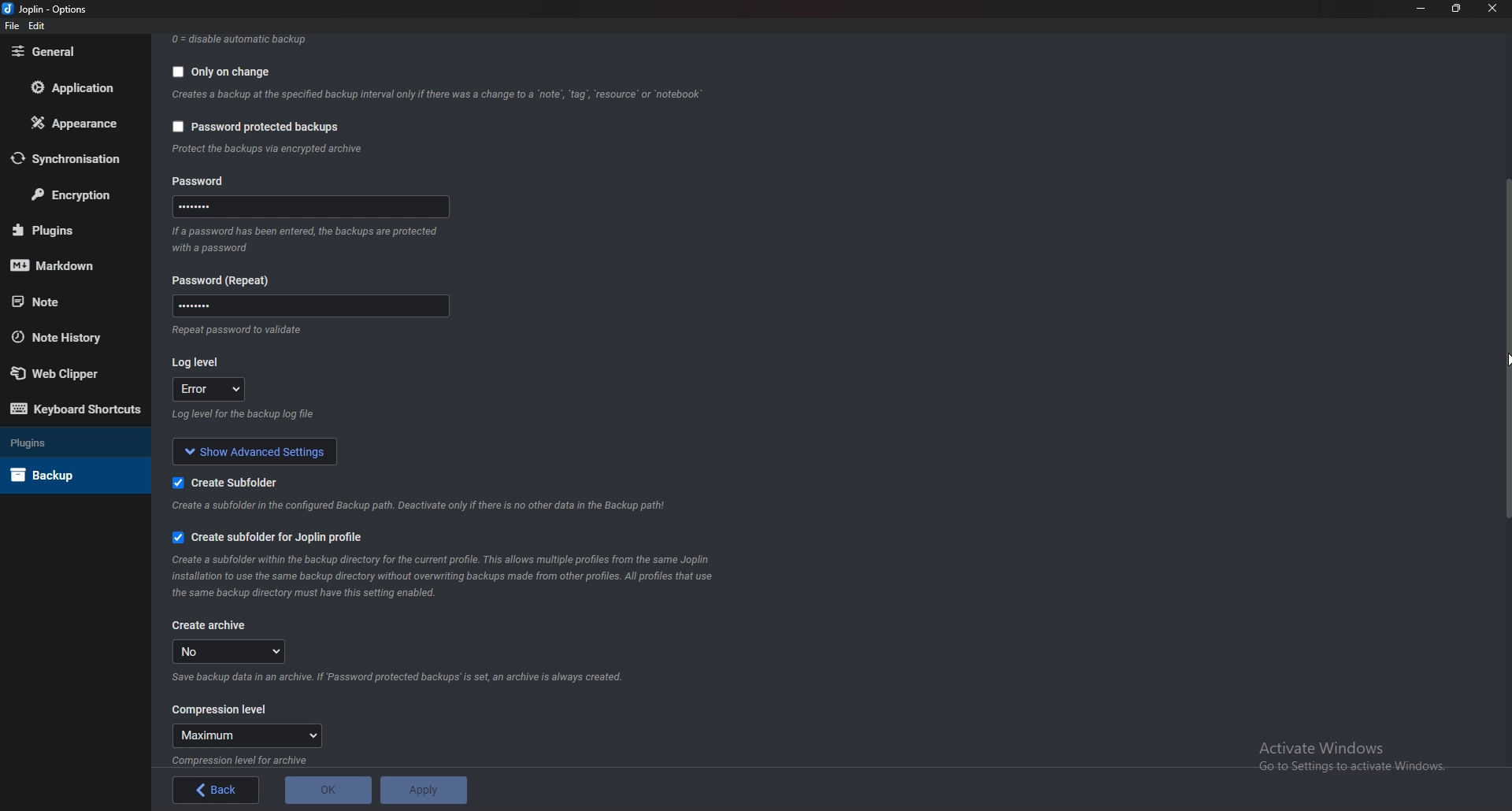  Describe the element at coordinates (250, 759) in the screenshot. I see `info` at that location.